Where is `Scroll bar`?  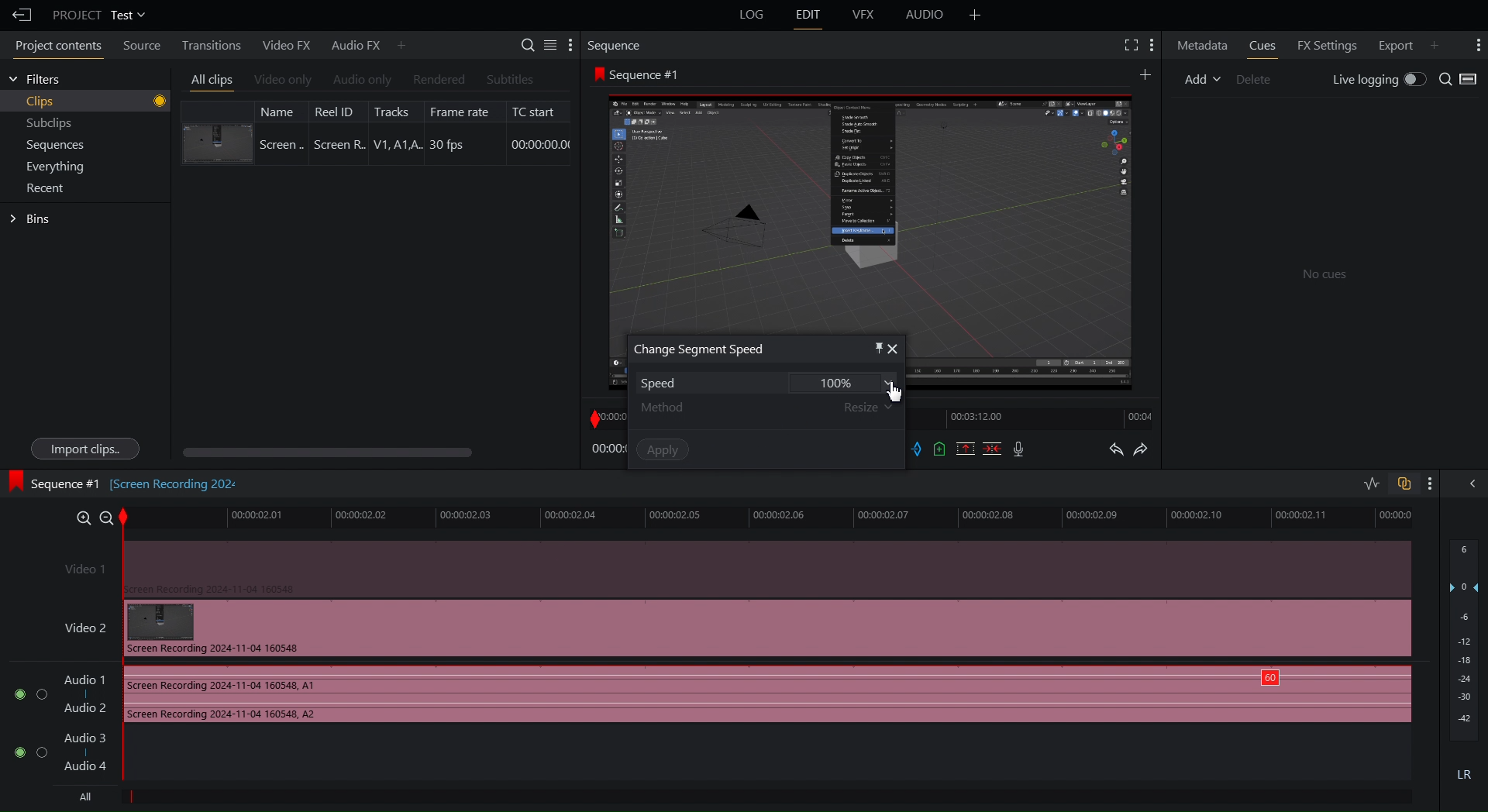
Scroll bar is located at coordinates (354, 452).